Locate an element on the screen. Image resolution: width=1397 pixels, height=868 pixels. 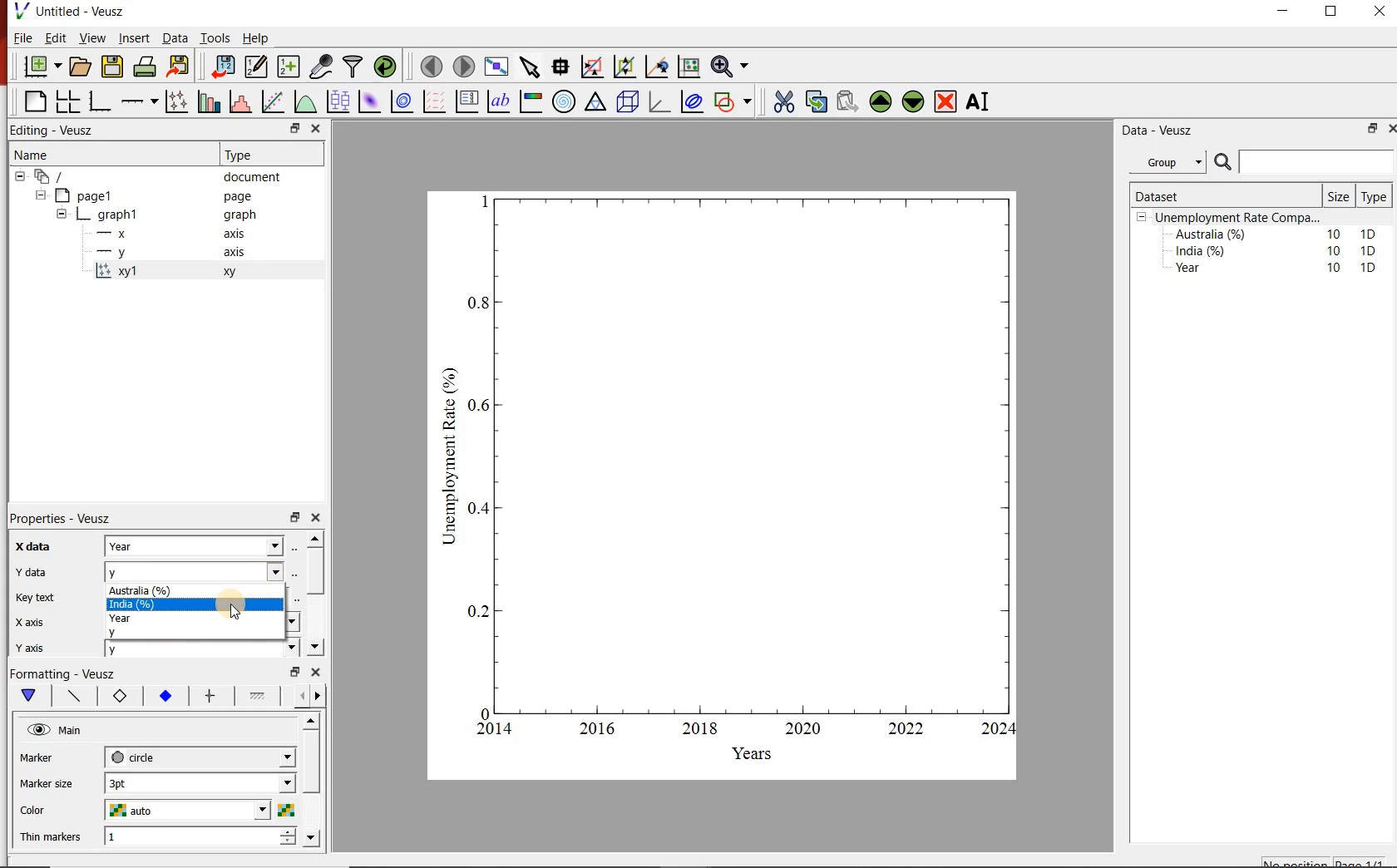
scroll bar is located at coordinates (314, 569).